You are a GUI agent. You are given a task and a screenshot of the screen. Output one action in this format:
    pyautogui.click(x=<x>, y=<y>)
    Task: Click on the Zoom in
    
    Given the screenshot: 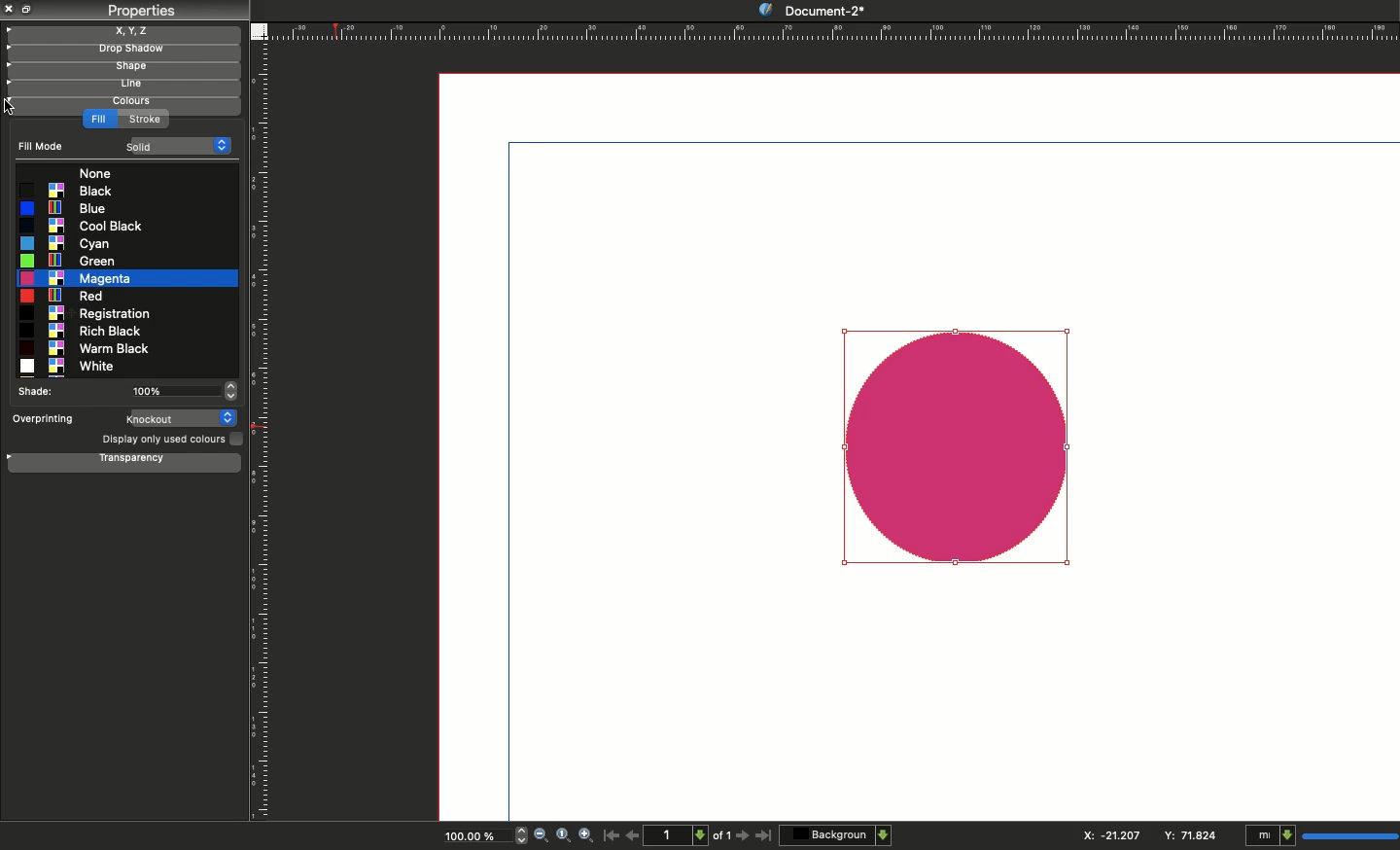 What is the action you would take?
    pyautogui.click(x=587, y=836)
    